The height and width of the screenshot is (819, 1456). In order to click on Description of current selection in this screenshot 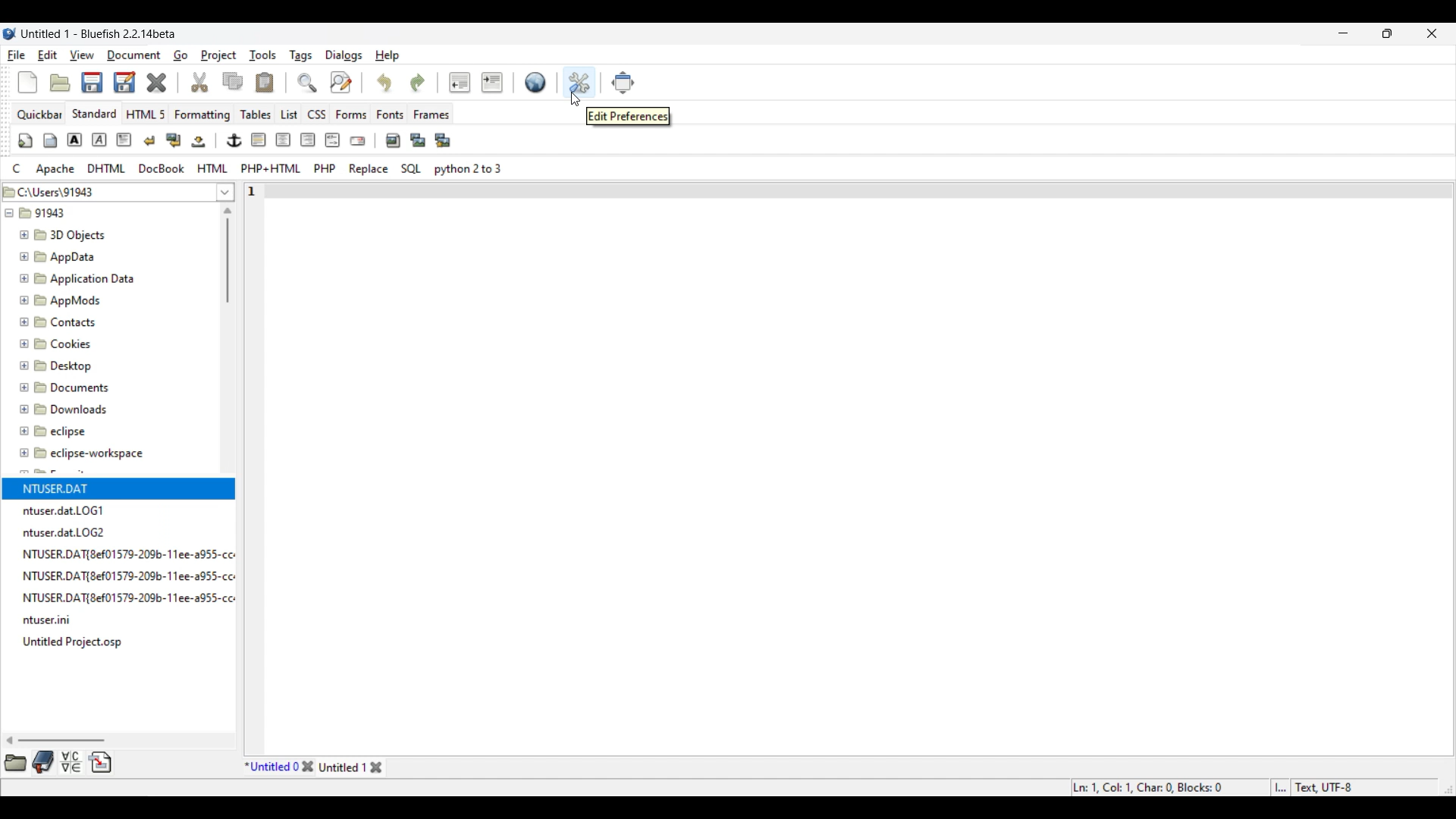, I will do `click(629, 117)`.